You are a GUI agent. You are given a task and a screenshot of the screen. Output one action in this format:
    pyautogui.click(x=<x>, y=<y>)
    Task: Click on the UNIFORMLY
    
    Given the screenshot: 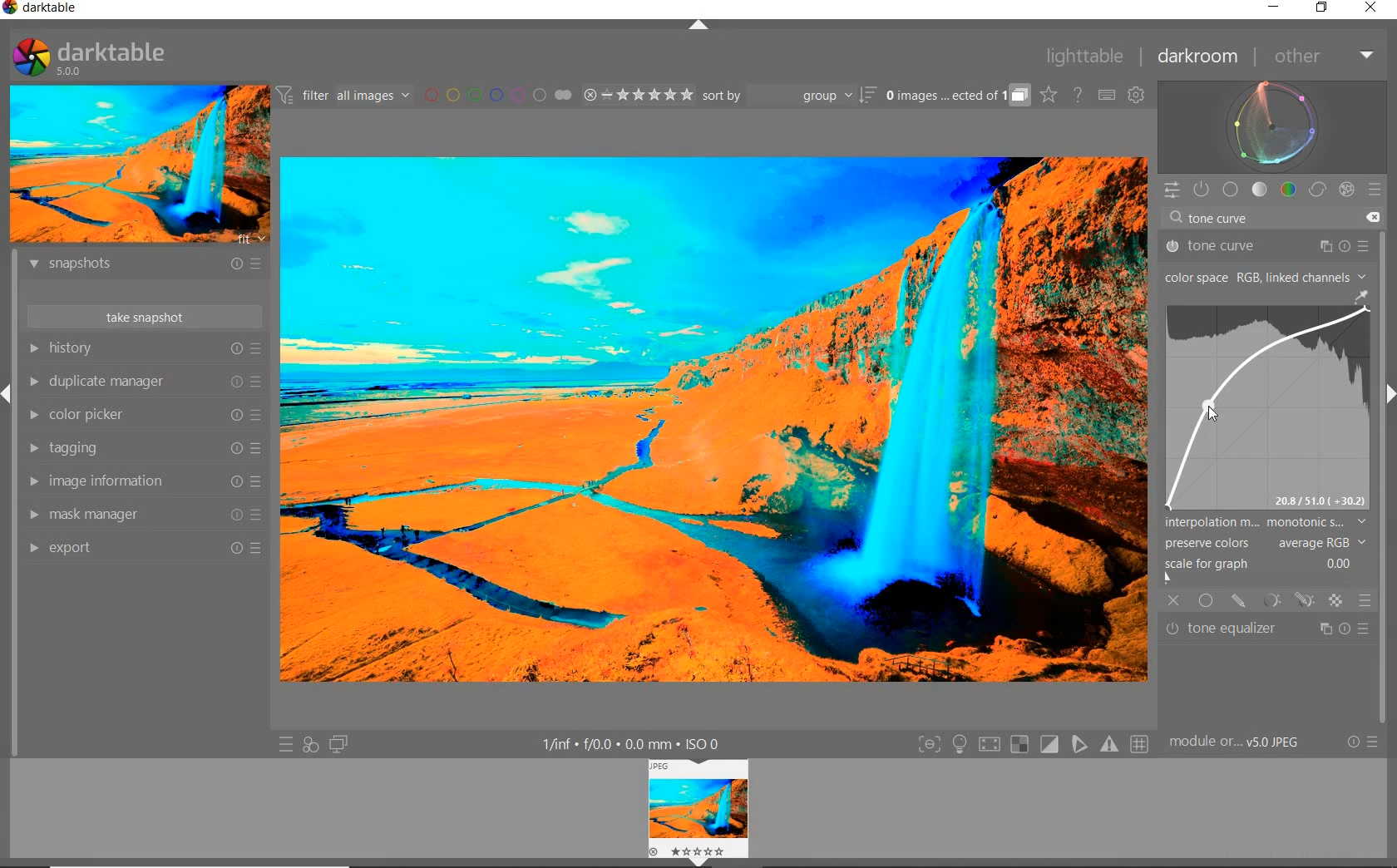 What is the action you would take?
    pyautogui.click(x=1206, y=601)
    